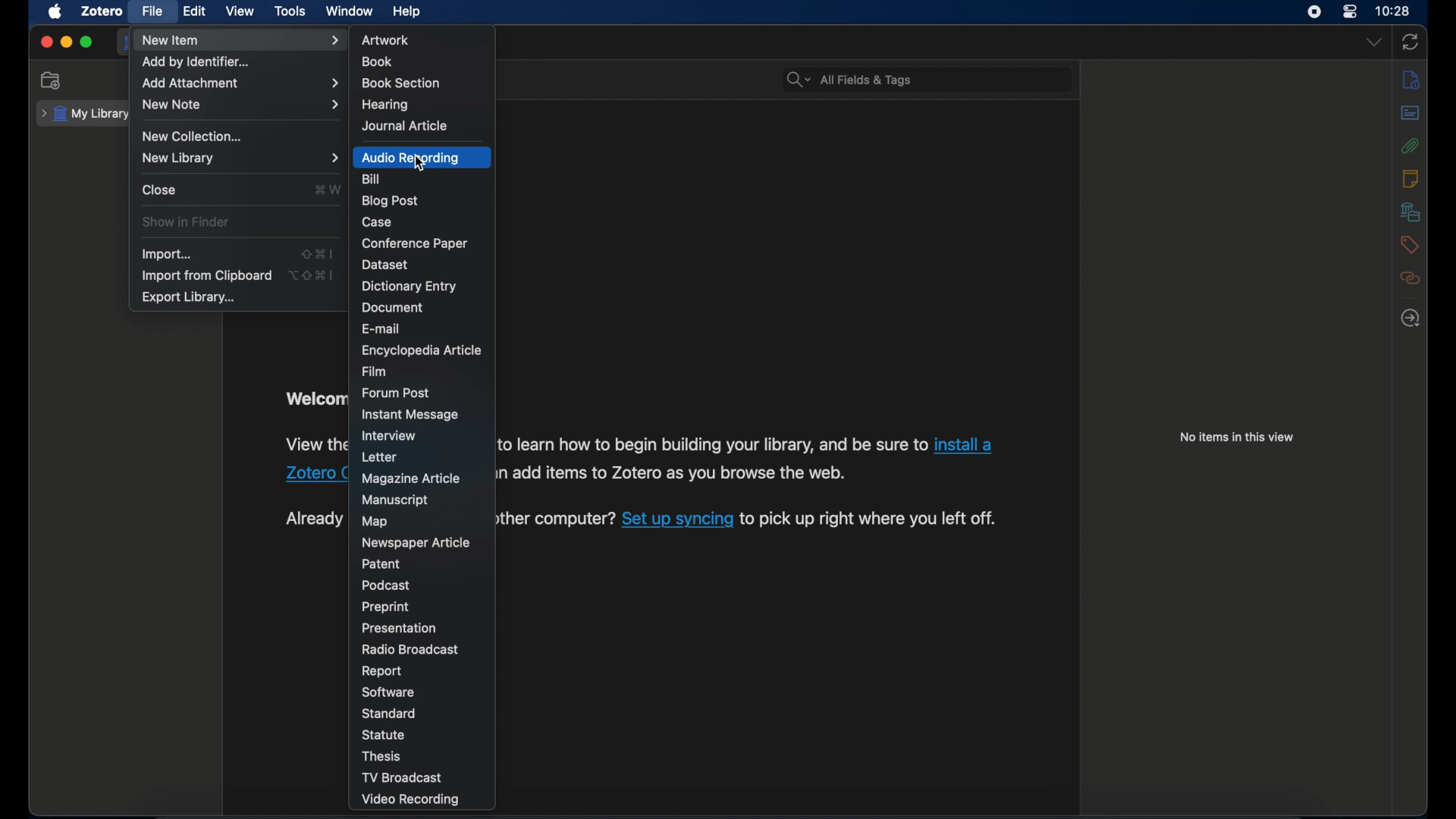 The width and height of the screenshot is (1456, 819). I want to click on obscure text, so click(315, 398).